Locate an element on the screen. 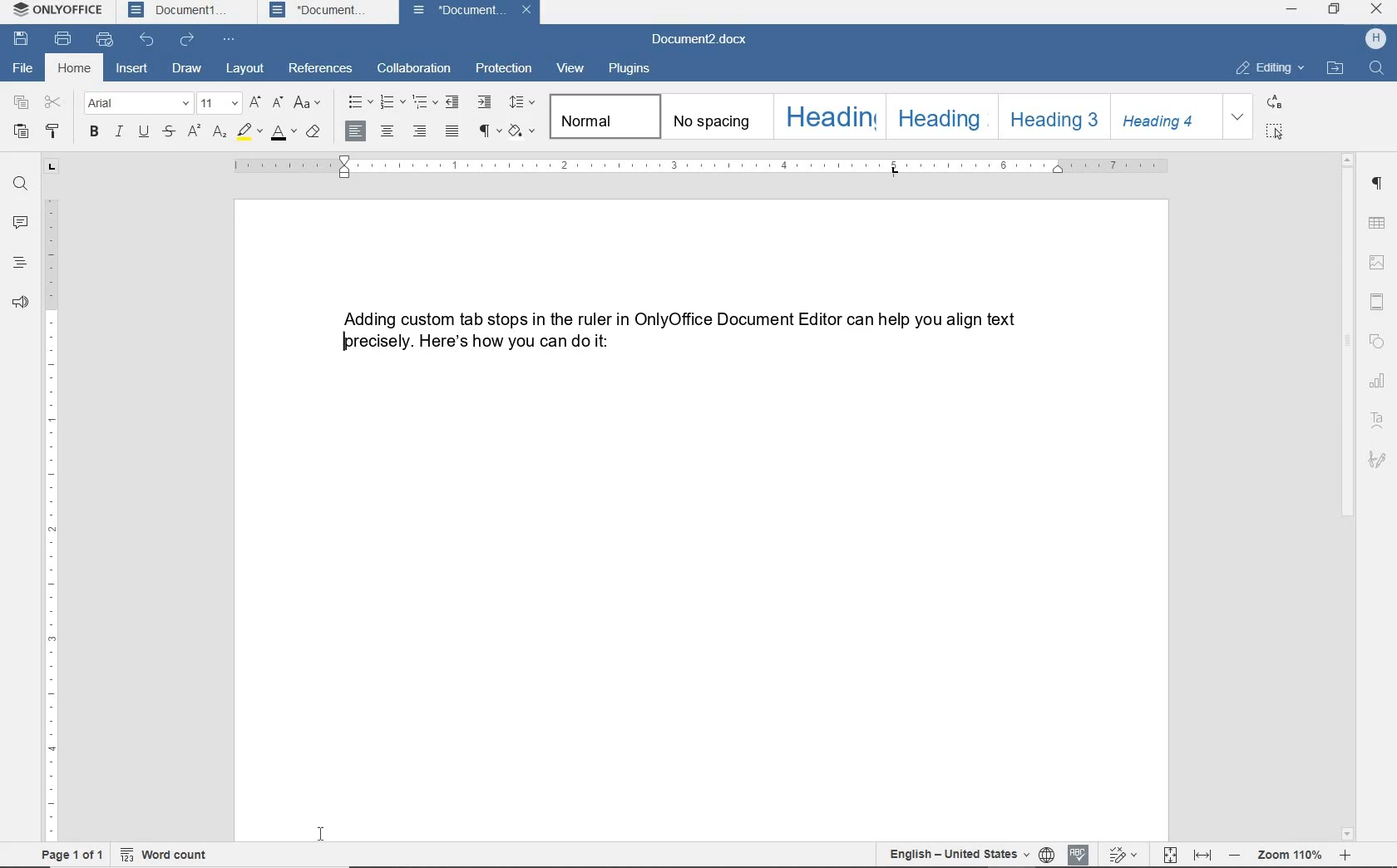  ruler is located at coordinates (52, 501).